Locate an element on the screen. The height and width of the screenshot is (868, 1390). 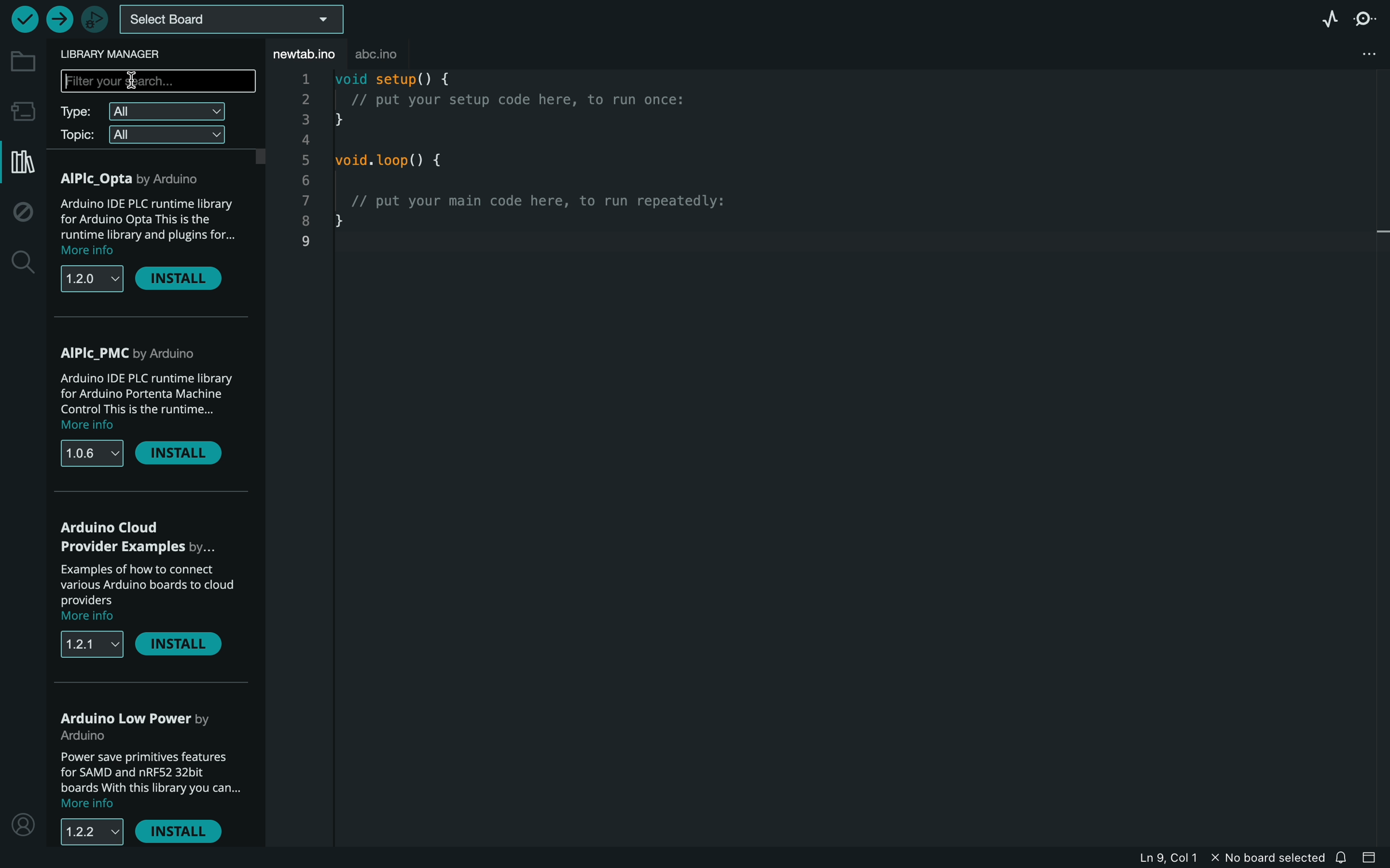
debug is located at coordinates (25, 212).